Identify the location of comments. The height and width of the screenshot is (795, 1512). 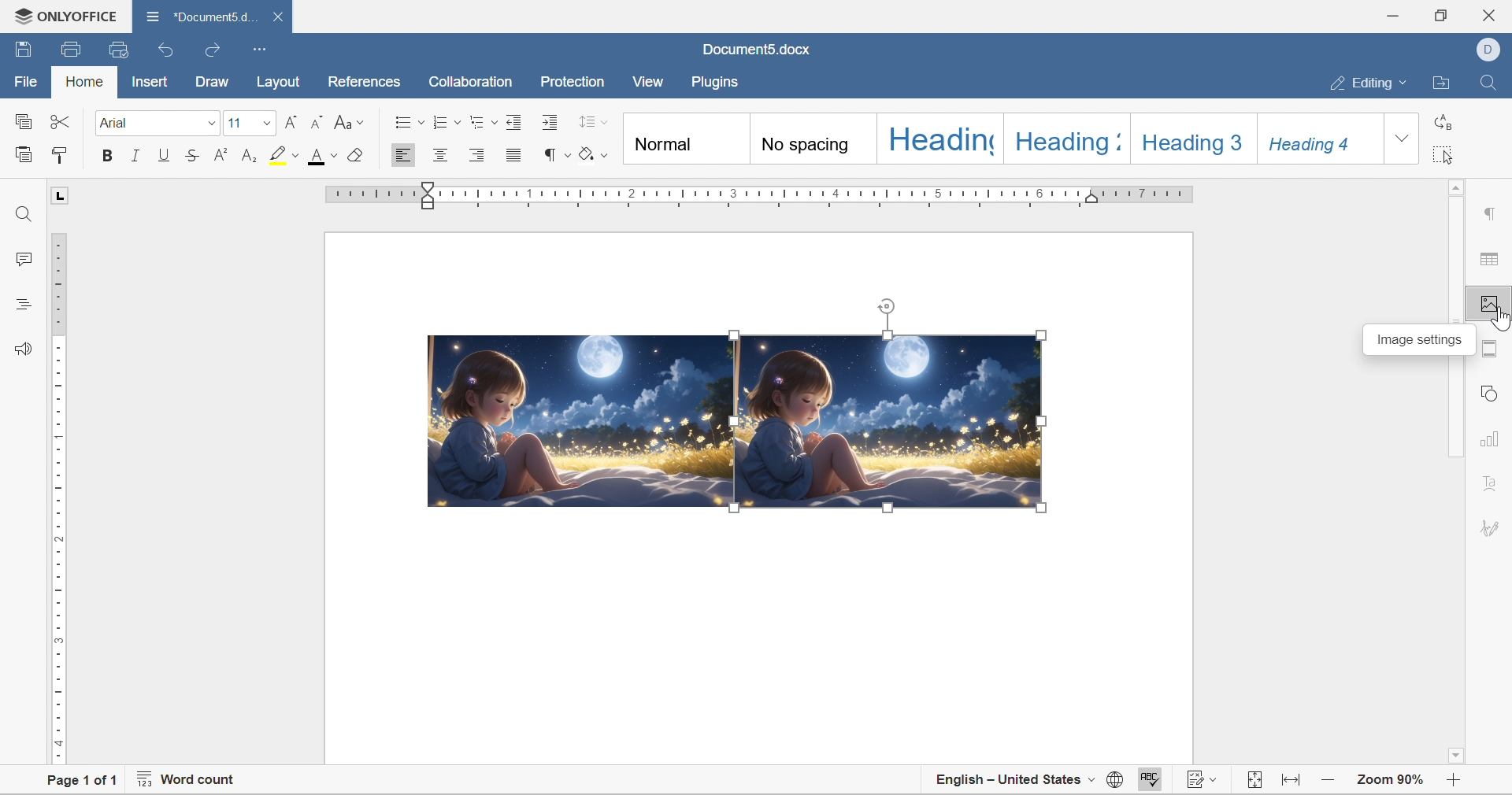
(24, 258).